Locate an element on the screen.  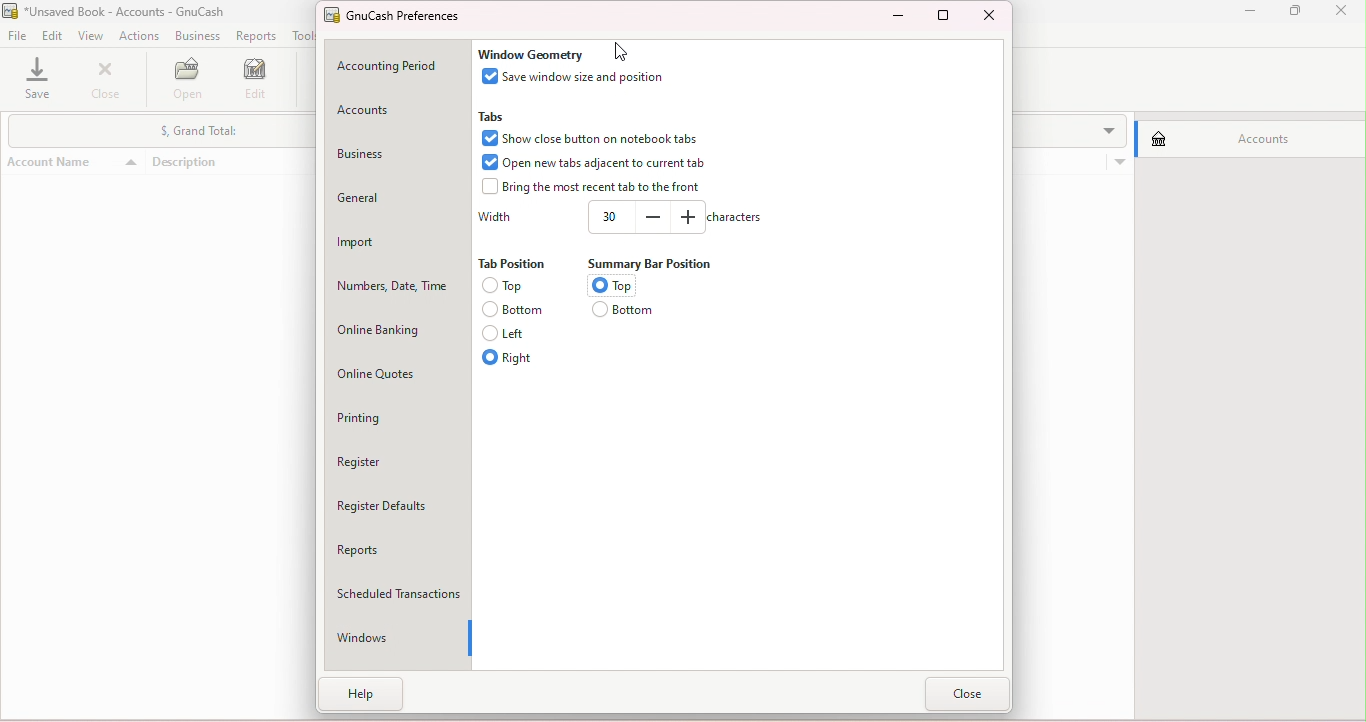
Close is located at coordinates (110, 83).